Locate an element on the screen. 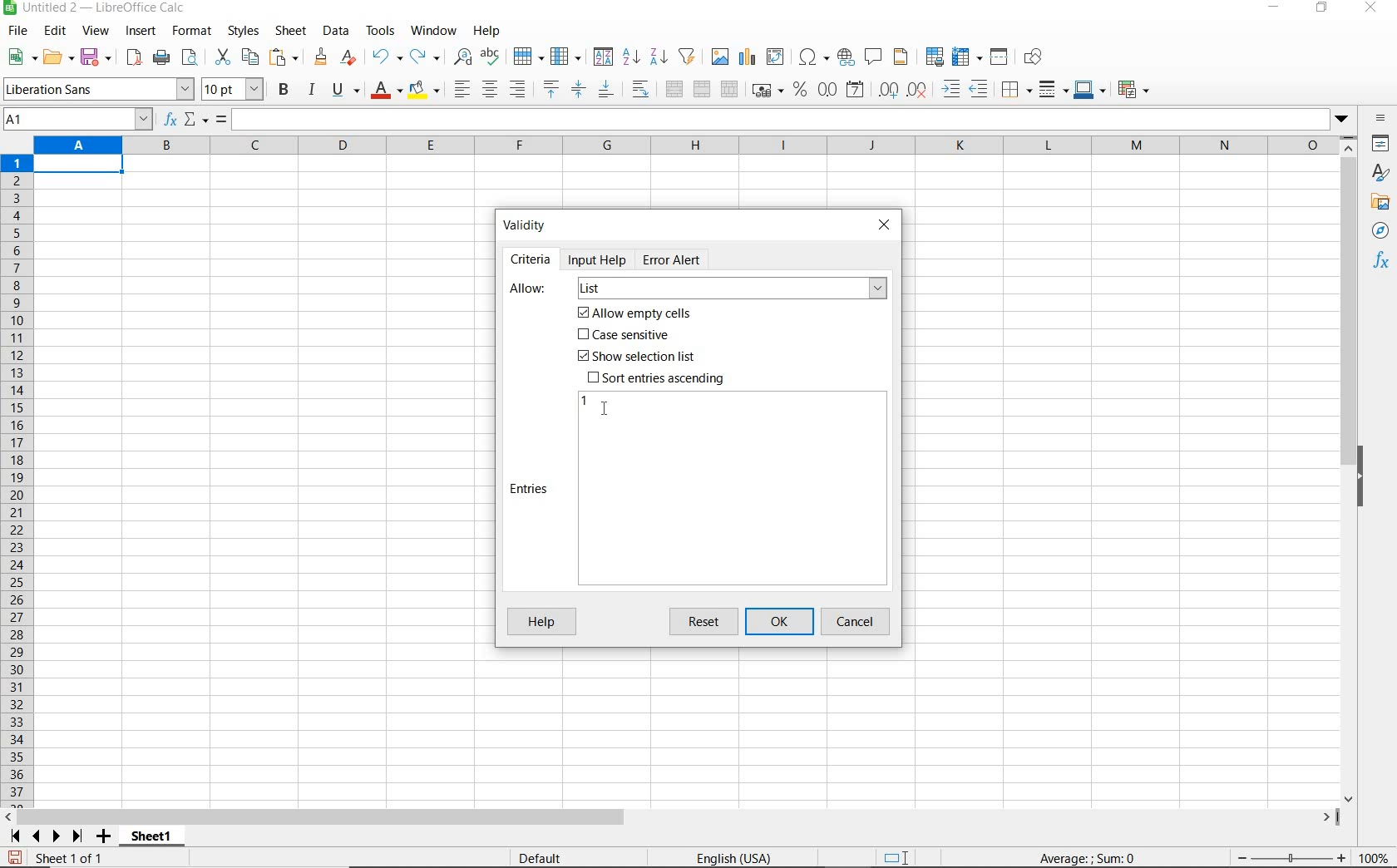 This screenshot has height=868, width=1397. Sort entries ascending is located at coordinates (657, 377).